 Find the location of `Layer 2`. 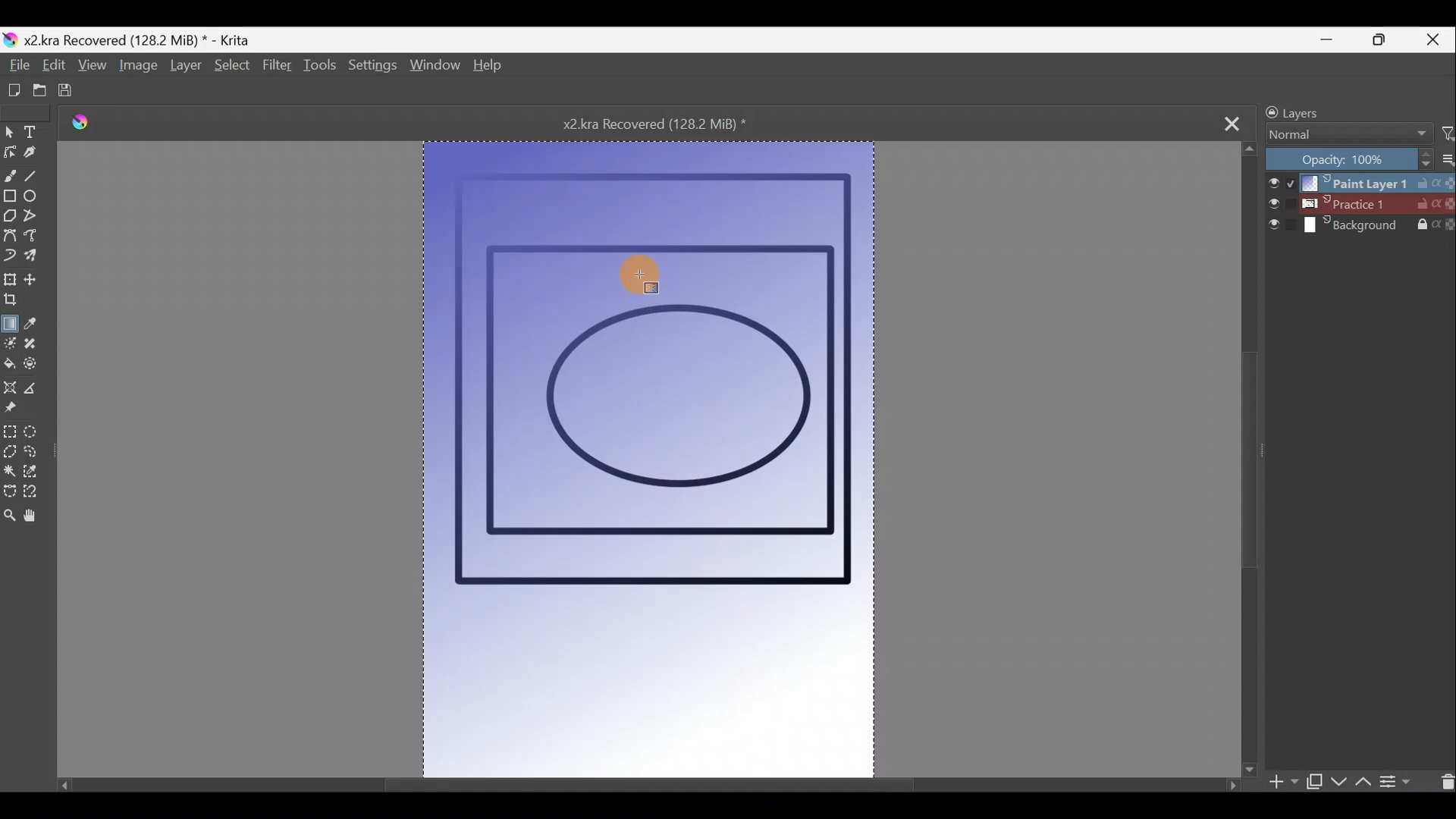

Layer 2 is located at coordinates (1360, 204).